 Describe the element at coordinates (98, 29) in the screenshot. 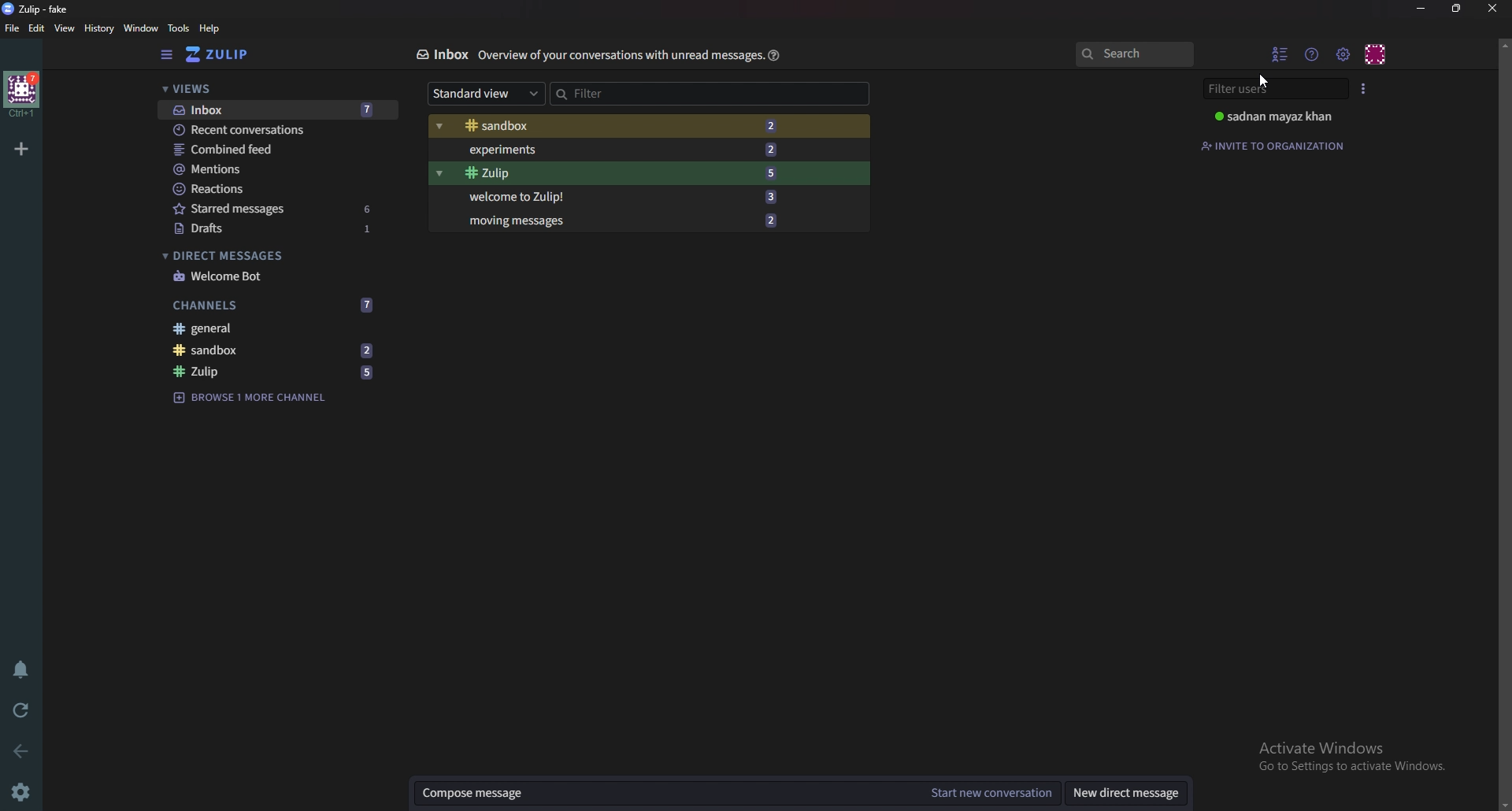

I see `History` at that location.